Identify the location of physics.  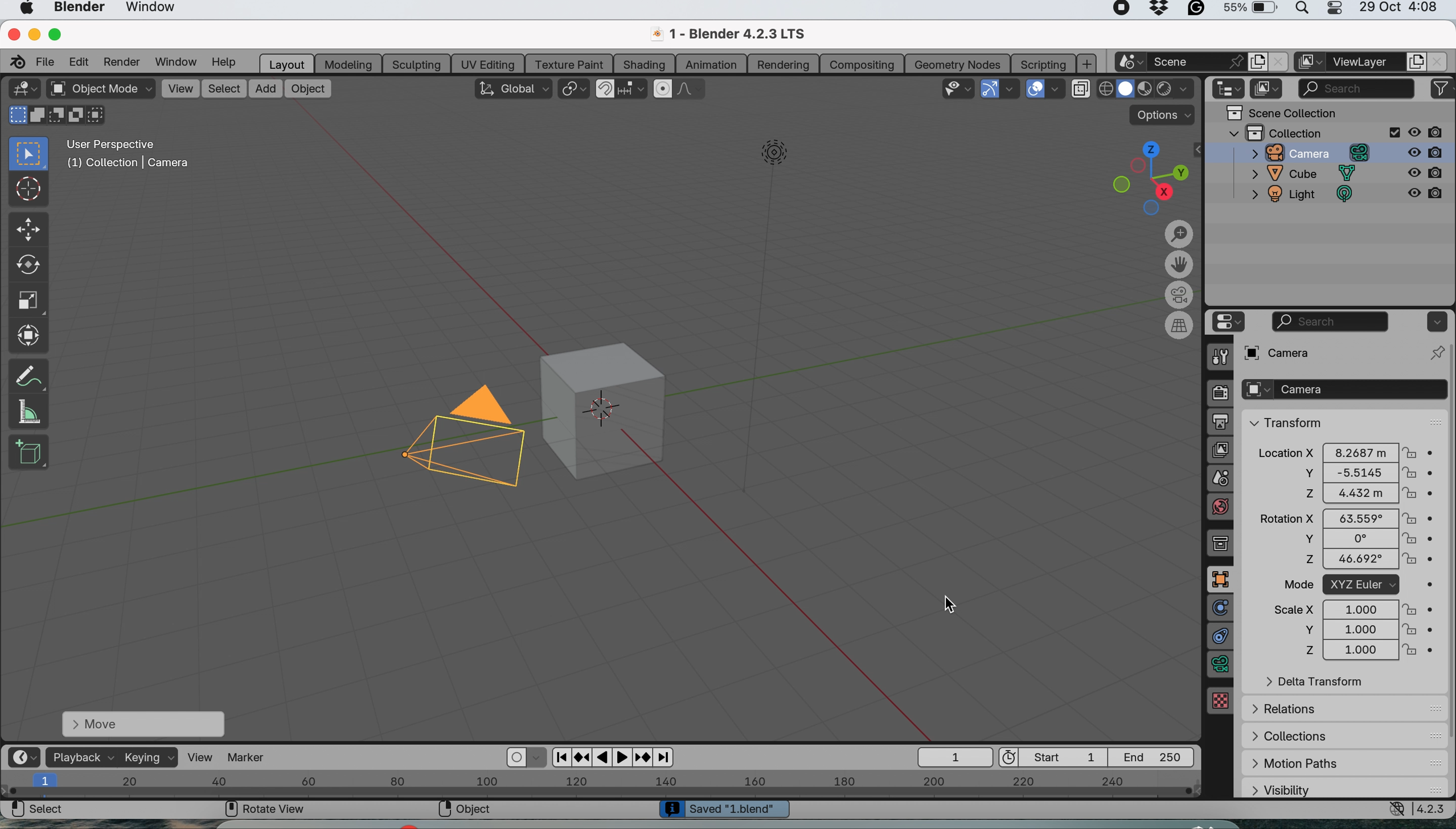
(1221, 607).